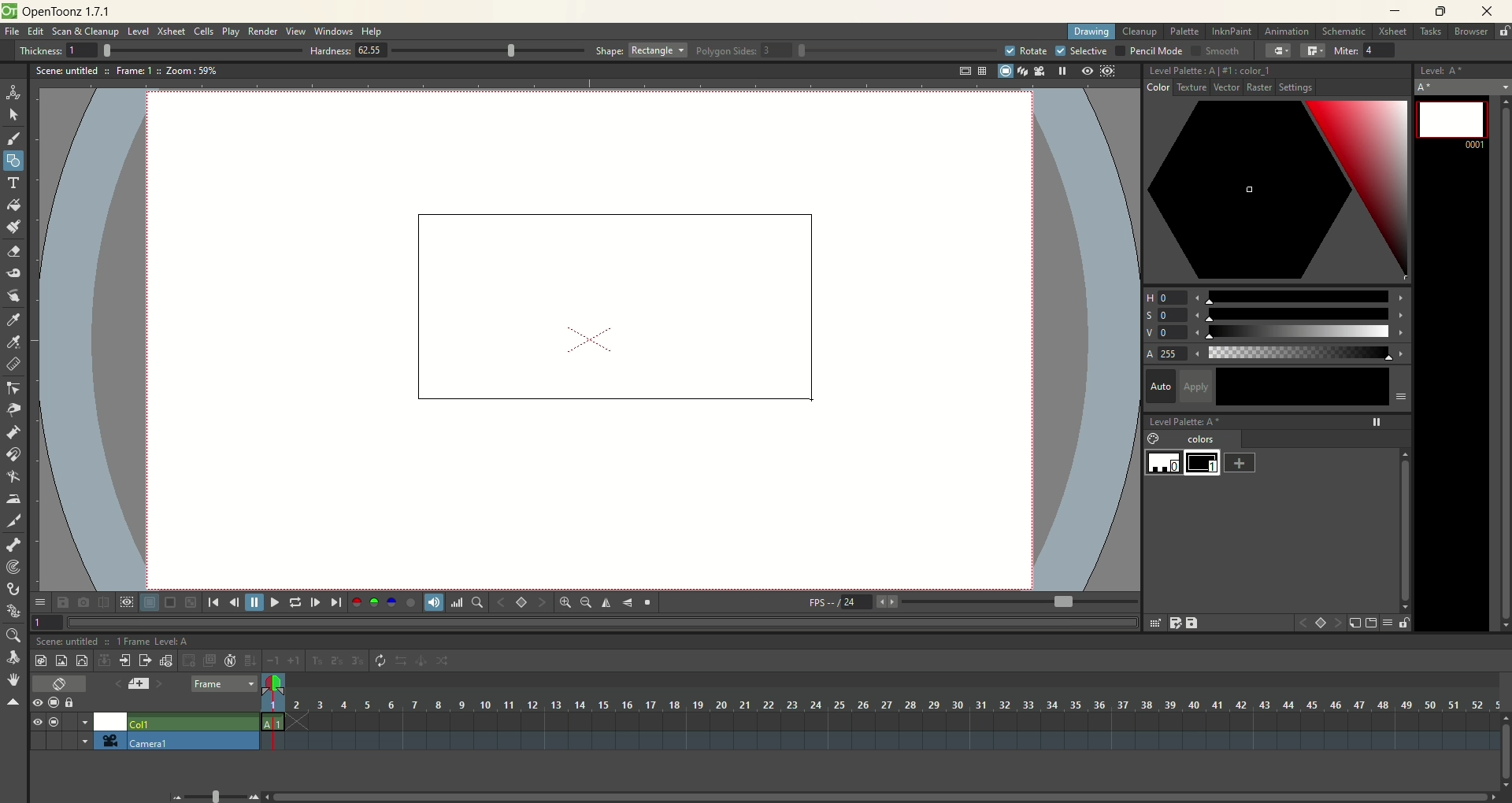 This screenshot has width=1512, height=803. What do you see at coordinates (224, 685) in the screenshot?
I see `frame` at bounding box center [224, 685].